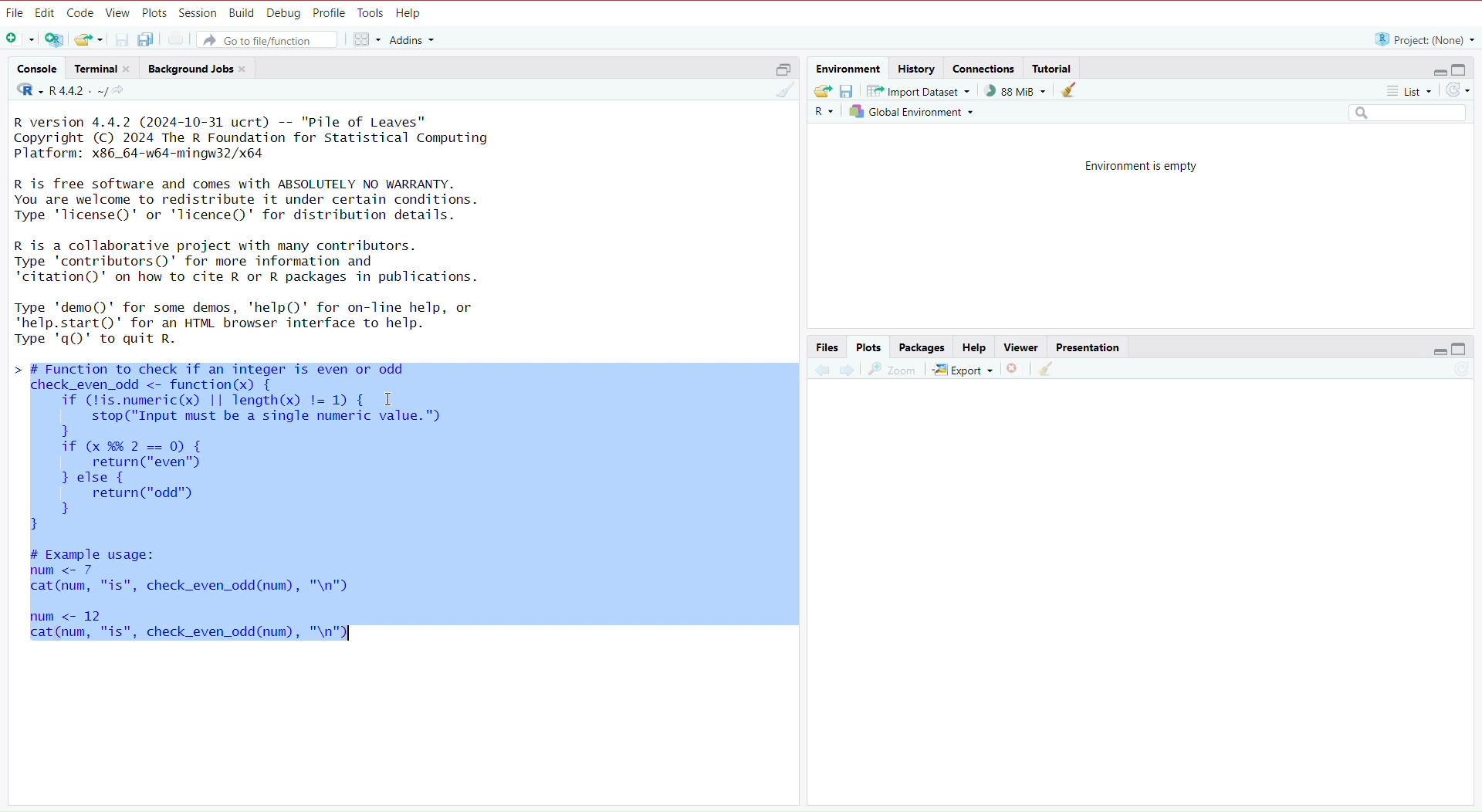  Describe the element at coordinates (411, 14) in the screenshot. I see `help` at that location.